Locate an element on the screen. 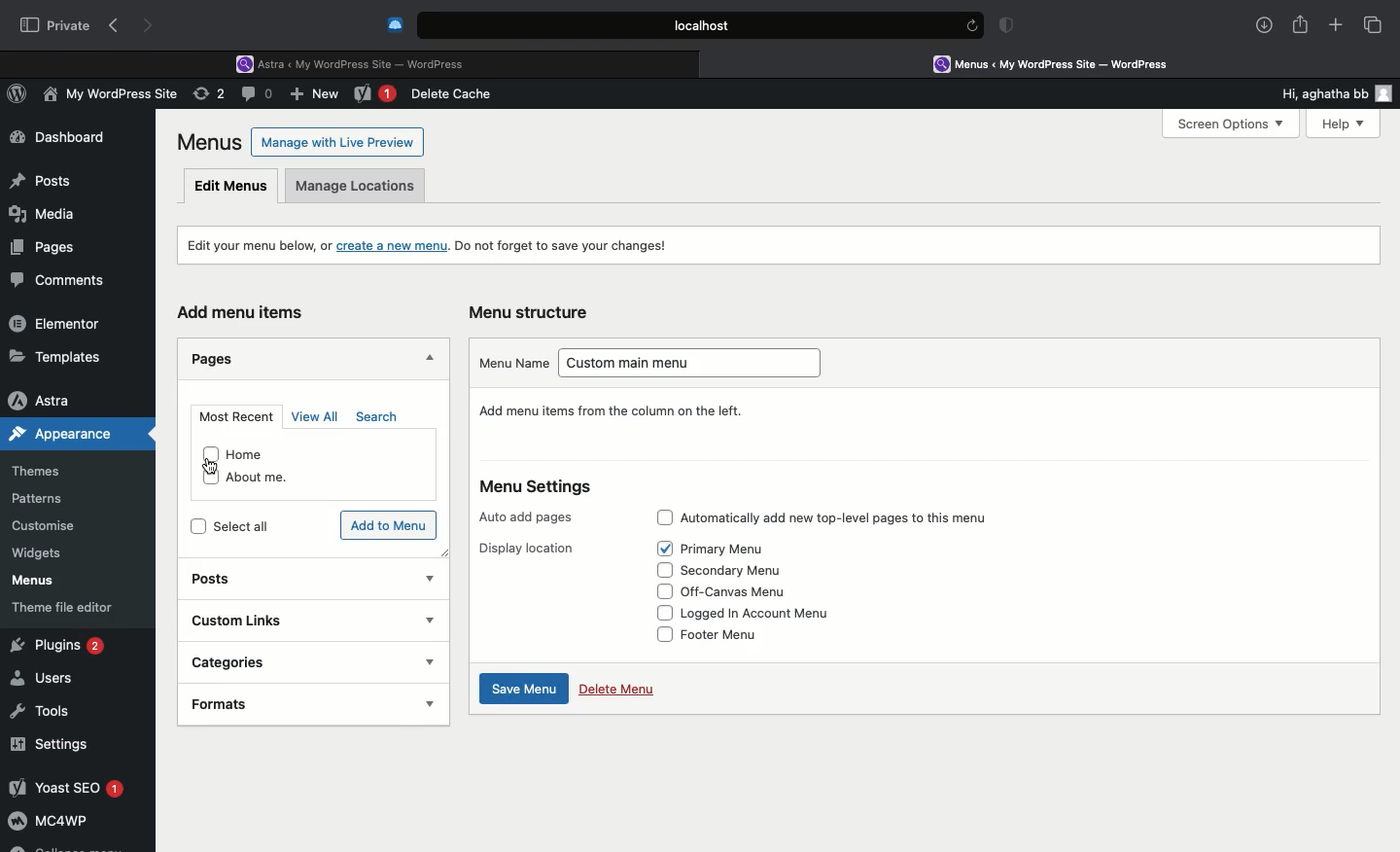 The height and width of the screenshot is (852, 1400). Delete menu is located at coordinates (616, 688).